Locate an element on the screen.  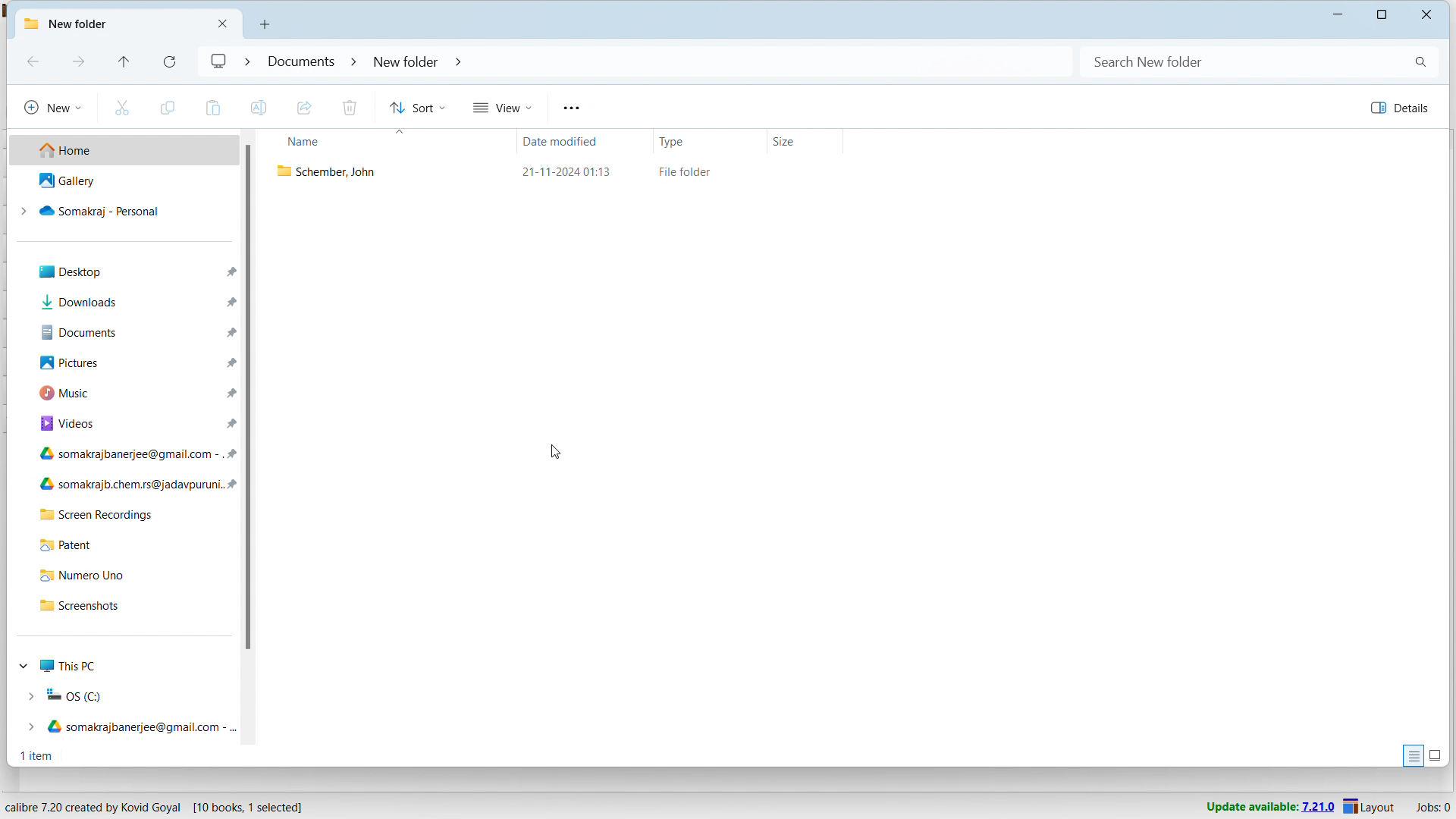
previous folder is located at coordinates (126, 61).